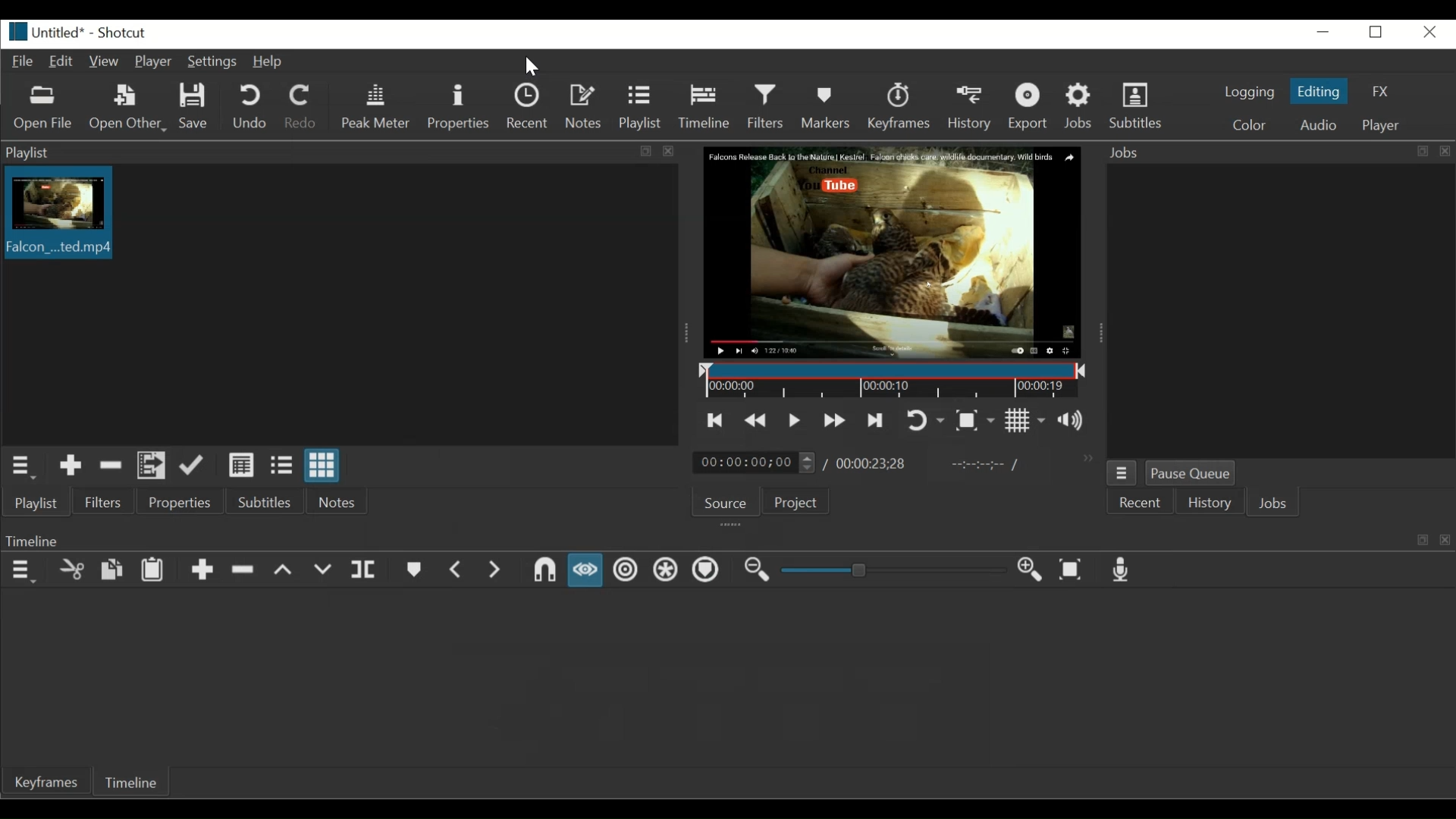 The image size is (1456, 819). I want to click on Open Other, so click(128, 108).